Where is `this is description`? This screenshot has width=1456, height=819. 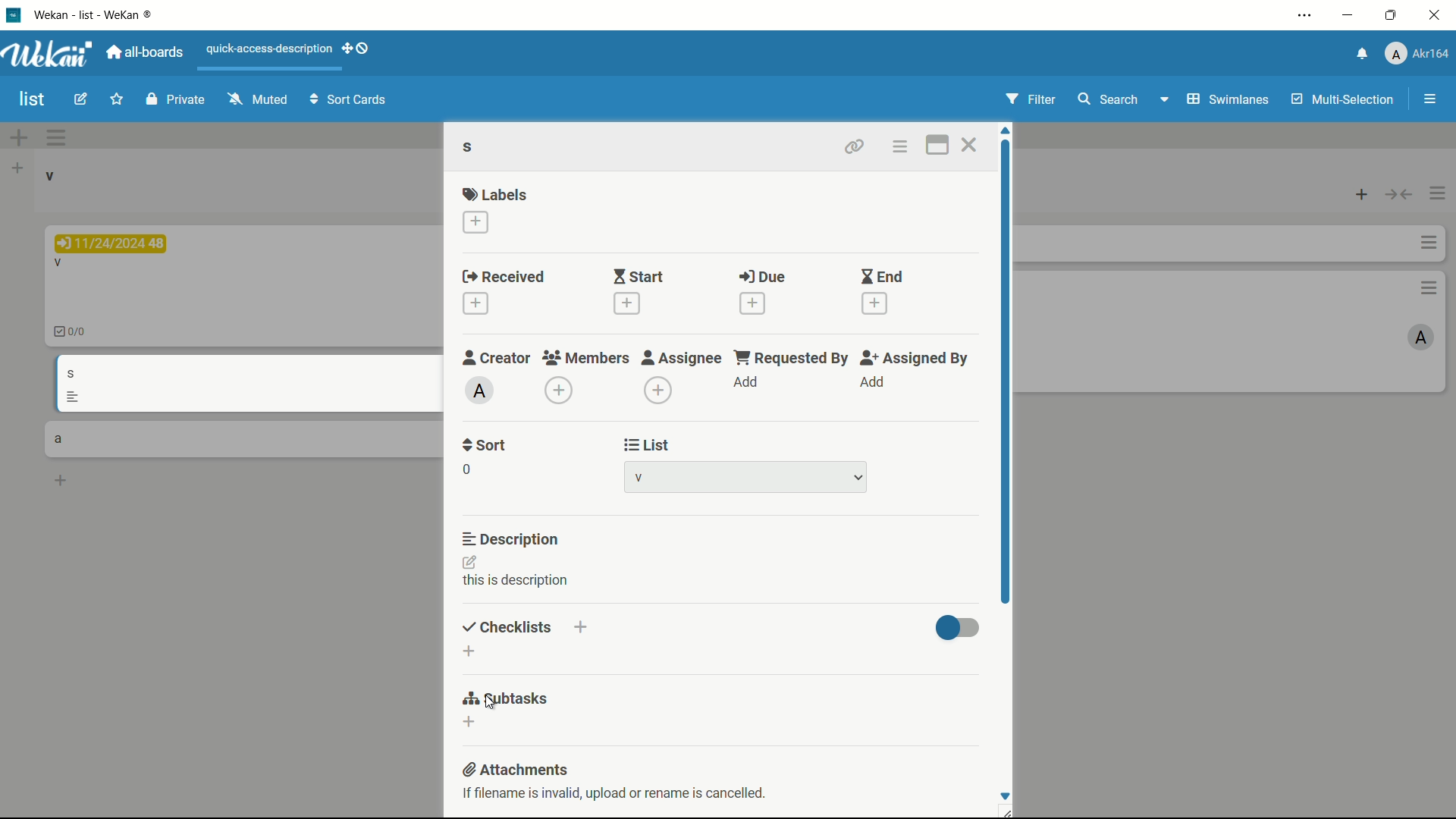 this is description is located at coordinates (517, 581).